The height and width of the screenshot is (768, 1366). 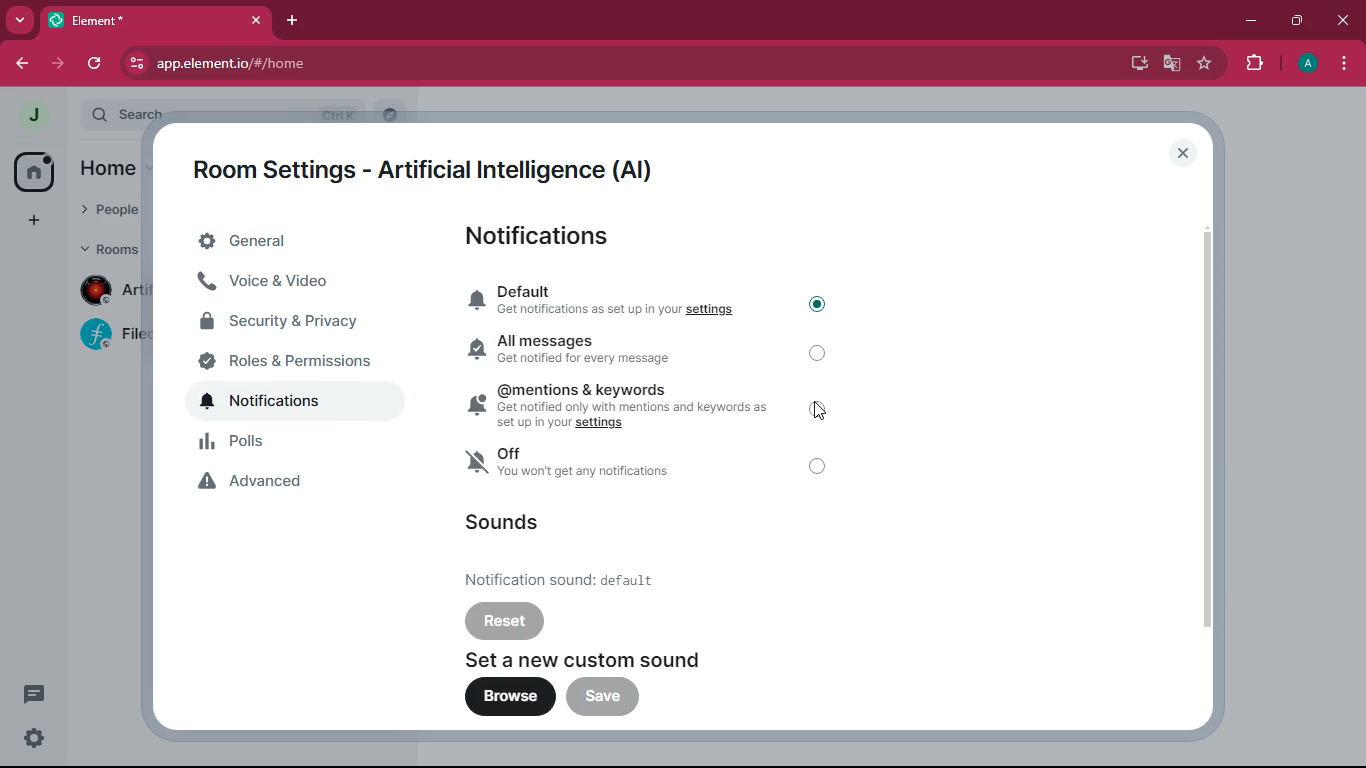 I want to click on home, so click(x=38, y=173).